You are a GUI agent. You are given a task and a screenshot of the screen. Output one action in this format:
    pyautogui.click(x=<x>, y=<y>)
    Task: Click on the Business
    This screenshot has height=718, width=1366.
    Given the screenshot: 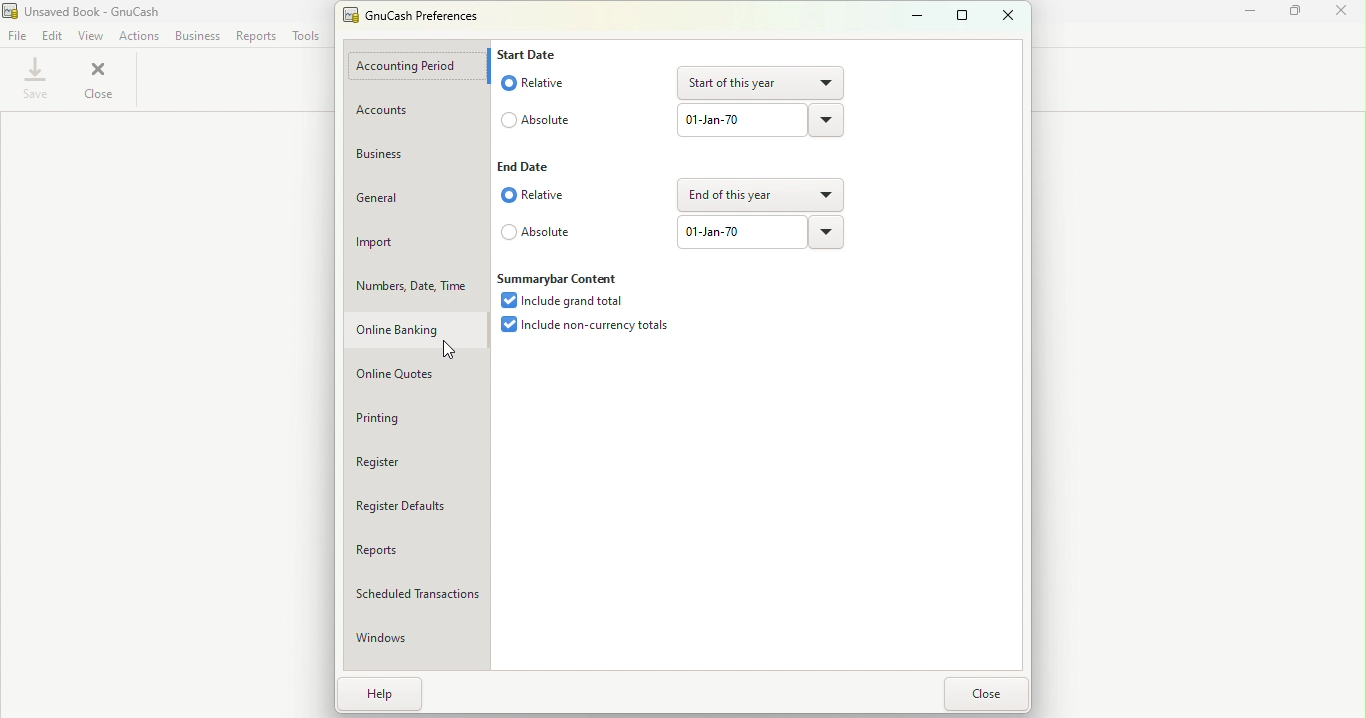 What is the action you would take?
    pyautogui.click(x=198, y=37)
    